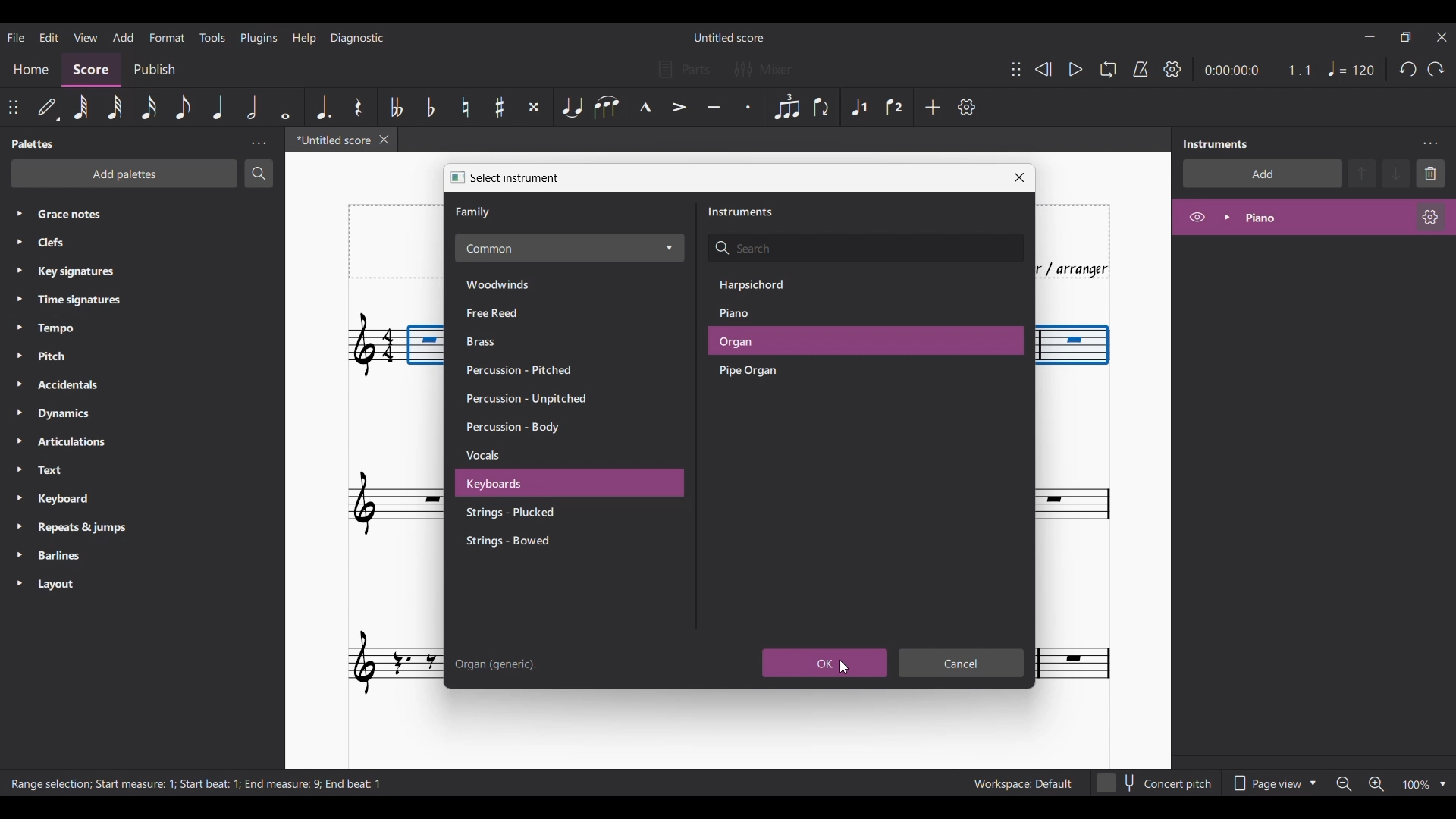  What do you see at coordinates (465, 107) in the screenshot?
I see `Toggle natural` at bounding box center [465, 107].